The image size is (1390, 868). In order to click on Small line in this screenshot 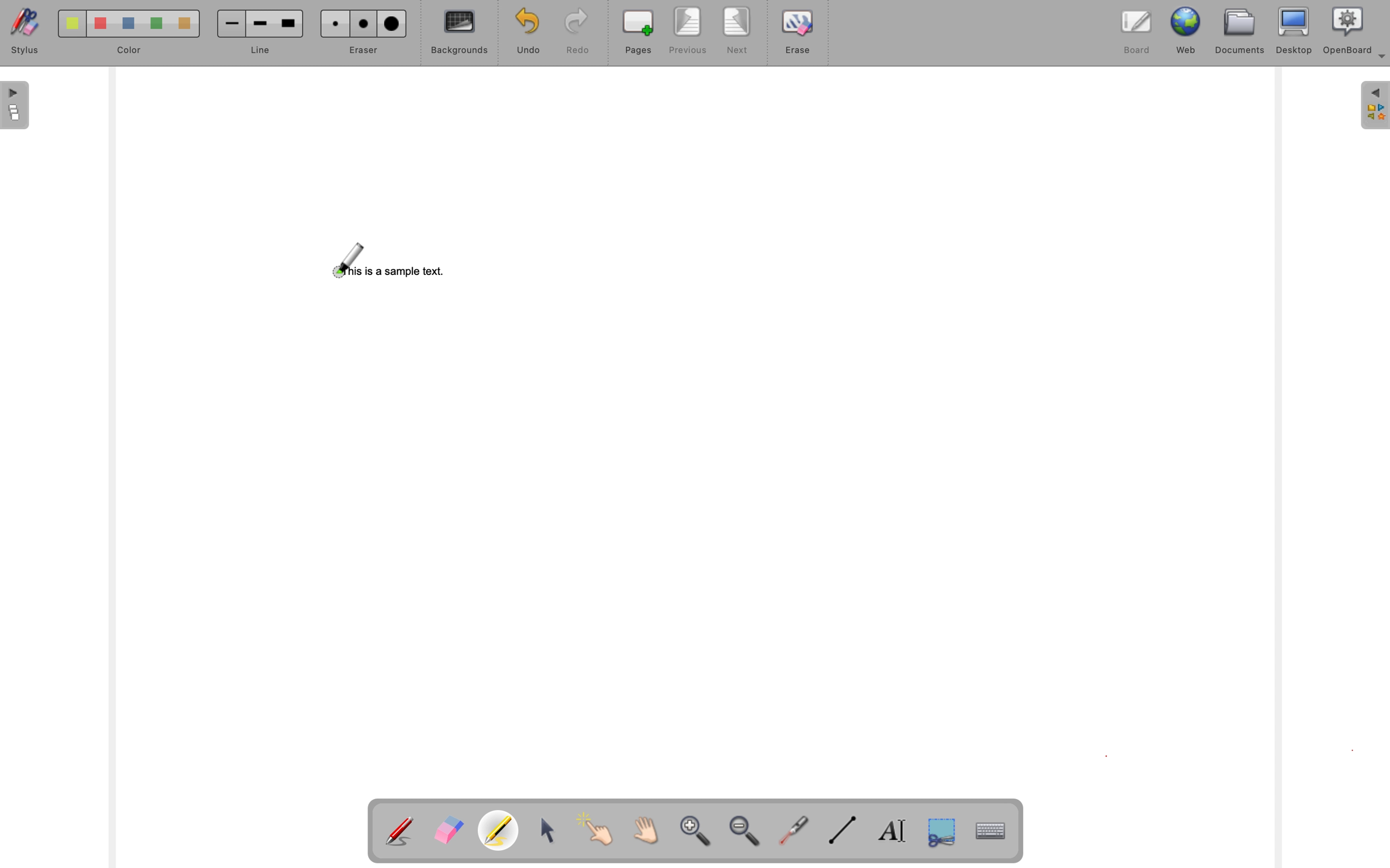, I will do `click(232, 24)`.